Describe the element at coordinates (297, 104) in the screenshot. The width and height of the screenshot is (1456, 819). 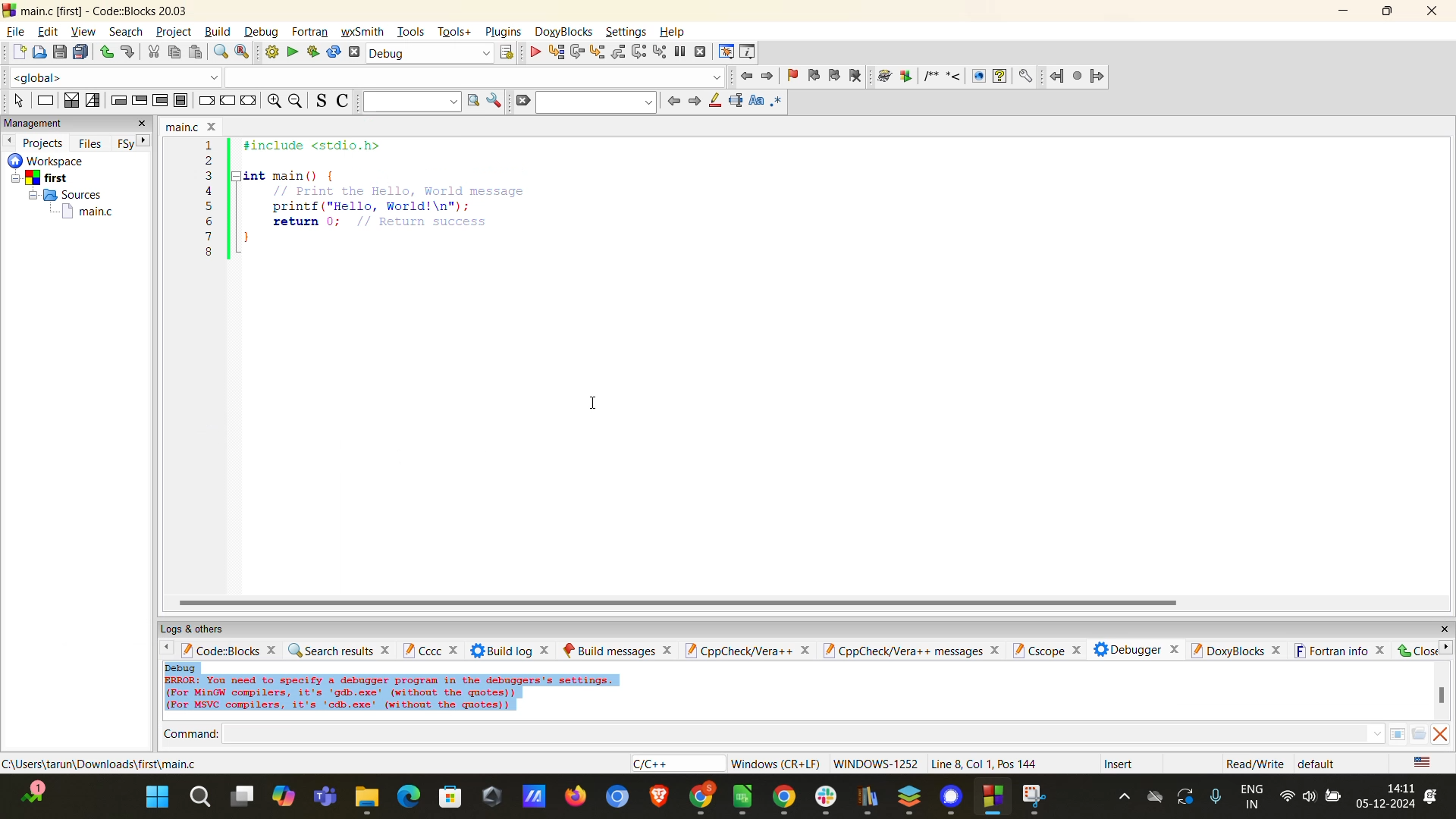
I see `zoom out` at that location.